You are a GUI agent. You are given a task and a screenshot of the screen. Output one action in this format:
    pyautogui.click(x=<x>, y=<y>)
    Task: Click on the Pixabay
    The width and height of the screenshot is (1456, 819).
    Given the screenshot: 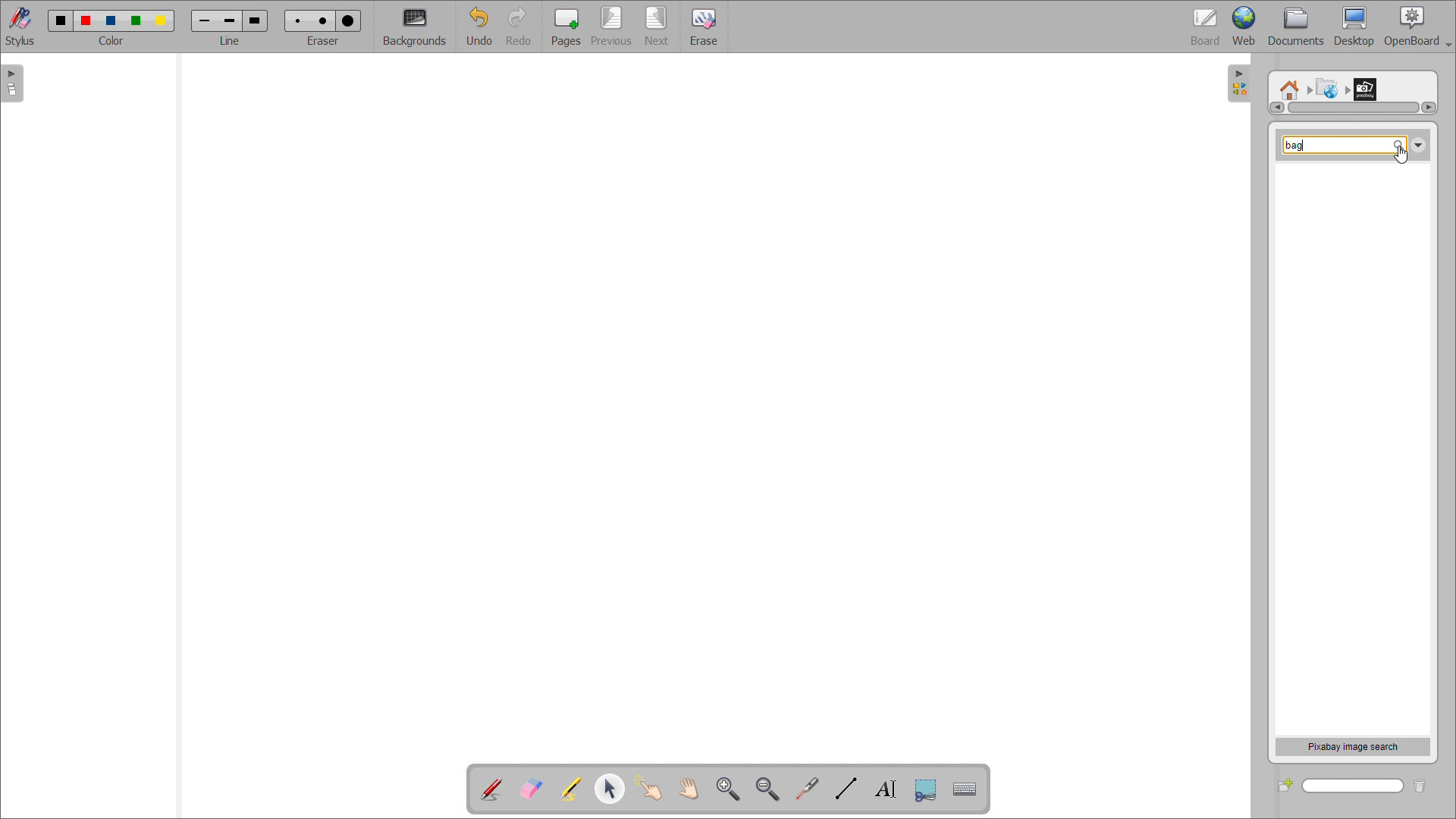 What is the action you would take?
    pyautogui.click(x=1369, y=86)
    